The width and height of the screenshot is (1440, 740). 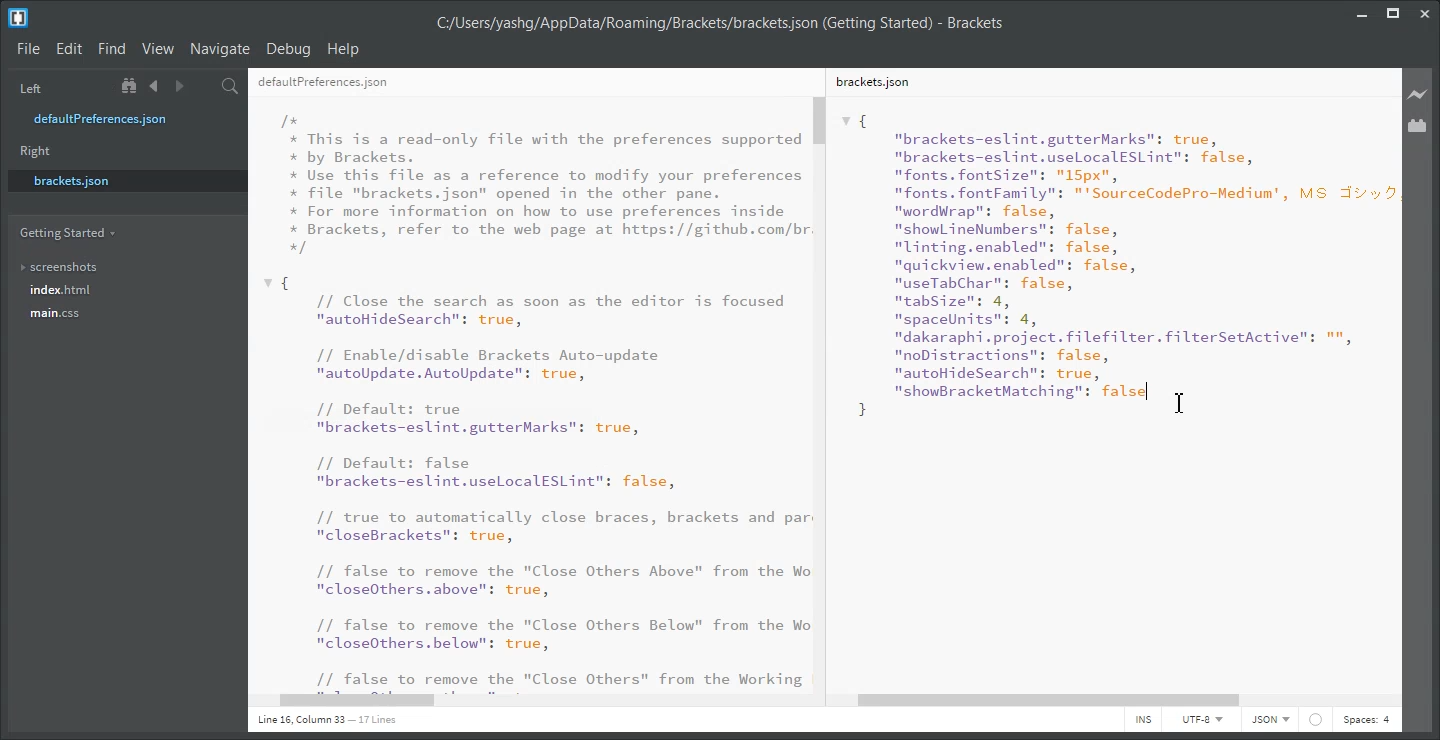 What do you see at coordinates (1393, 11) in the screenshot?
I see `Maximize` at bounding box center [1393, 11].